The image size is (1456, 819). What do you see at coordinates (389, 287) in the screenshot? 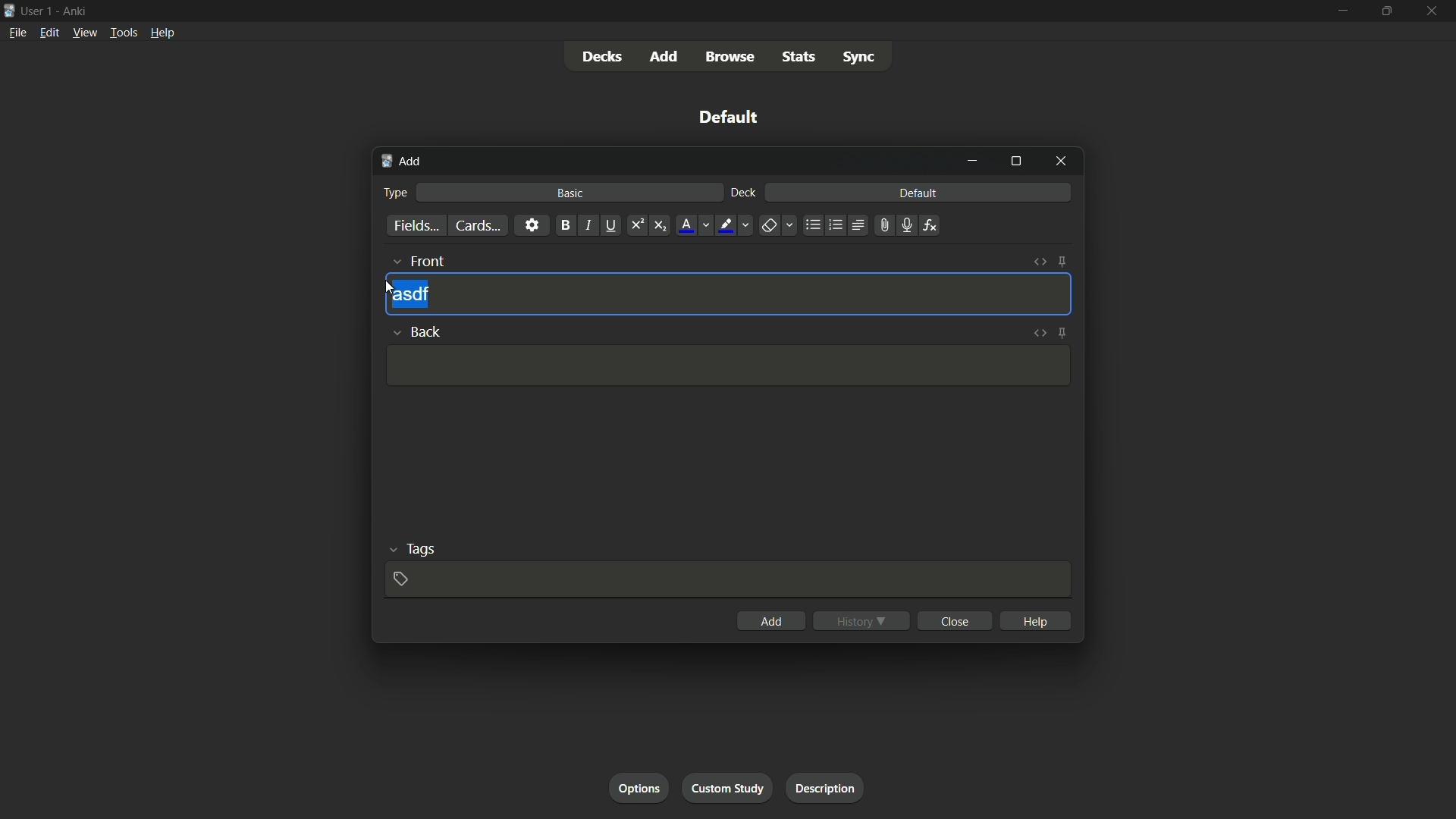
I see `cursor` at bounding box center [389, 287].